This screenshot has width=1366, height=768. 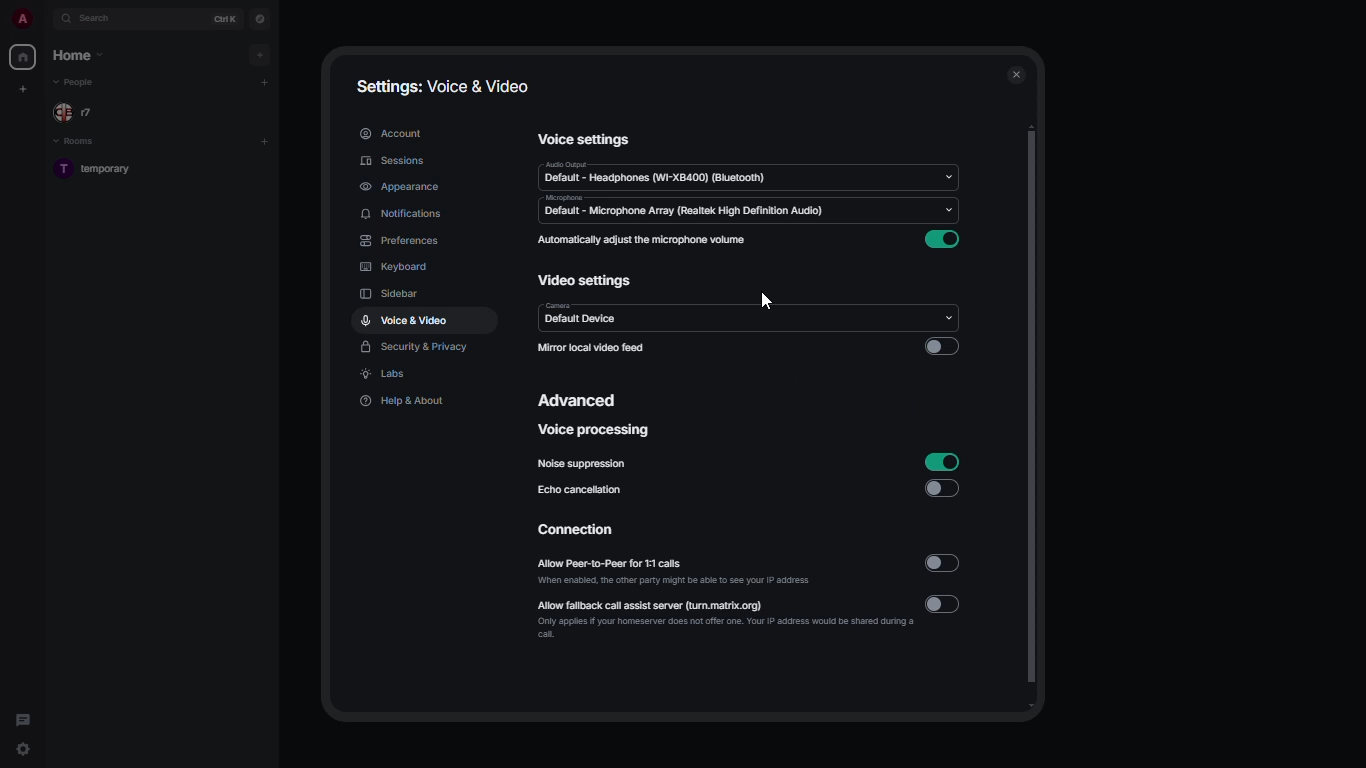 What do you see at coordinates (580, 530) in the screenshot?
I see `connection` at bounding box center [580, 530].